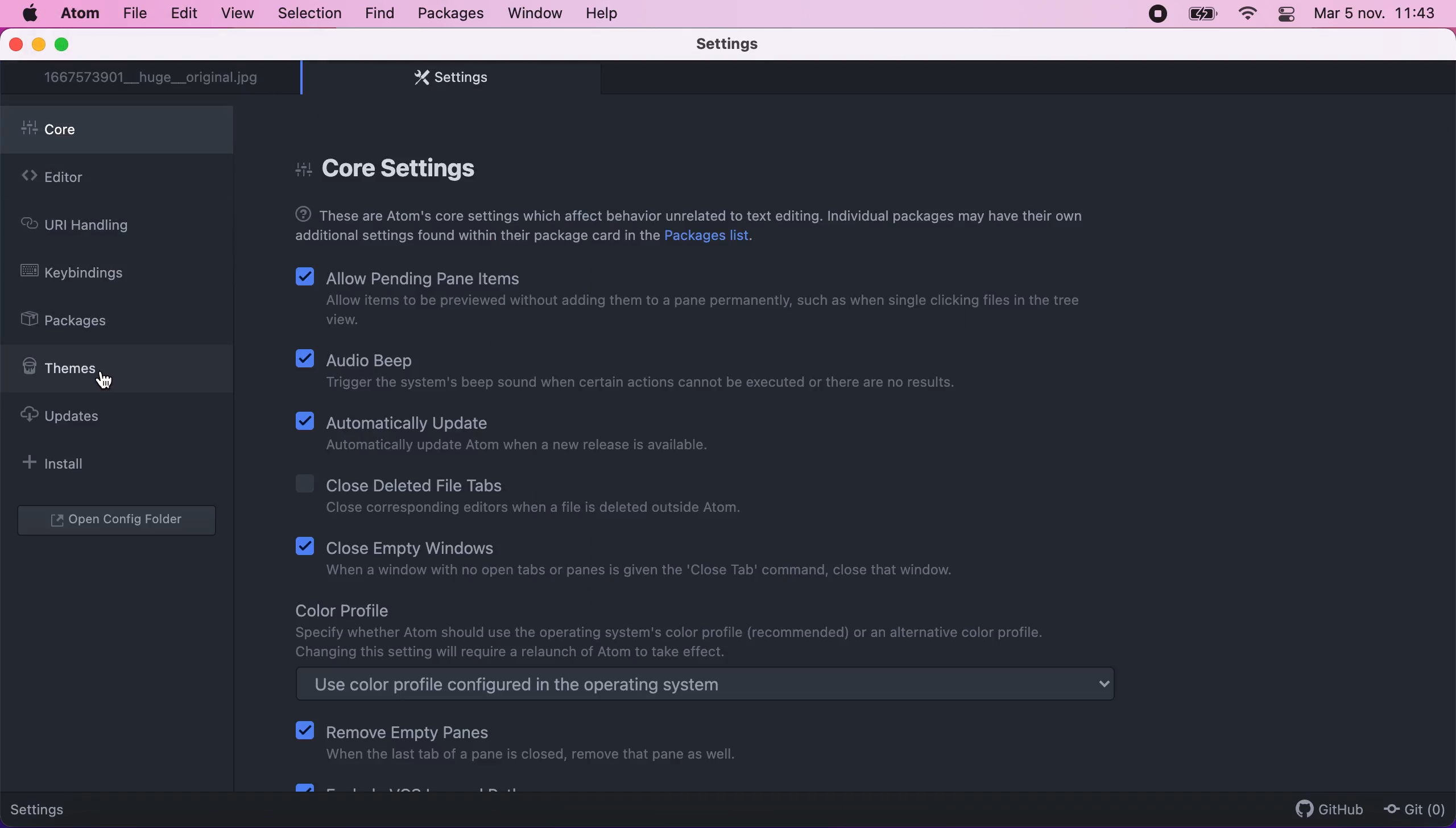 This screenshot has height=828, width=1456. Describe the element at coordinates (1248, 15) in the screenshot. I see `wifi` at that location.